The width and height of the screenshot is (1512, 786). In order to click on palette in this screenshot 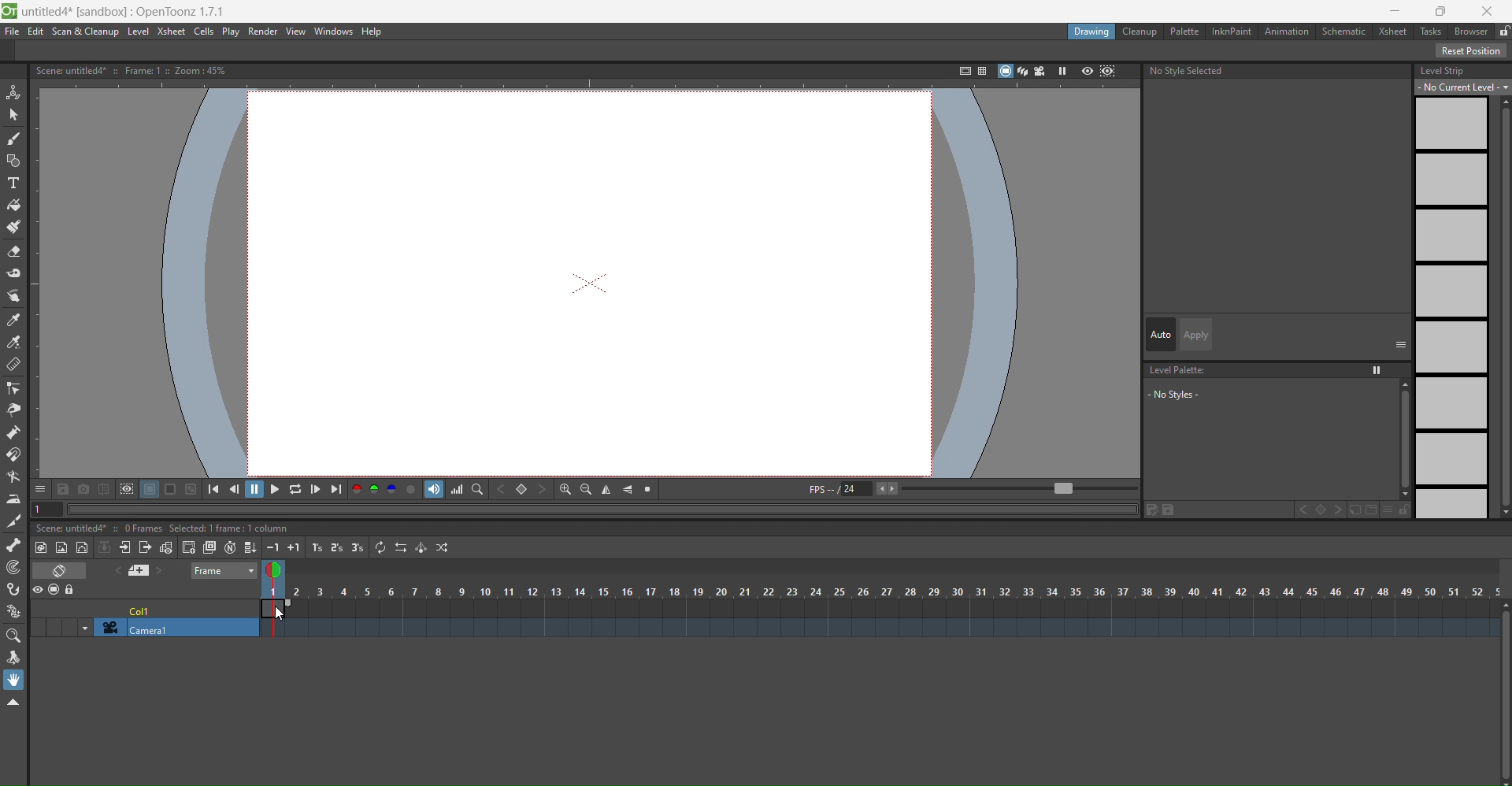, I will do `click(1183, 31)`.